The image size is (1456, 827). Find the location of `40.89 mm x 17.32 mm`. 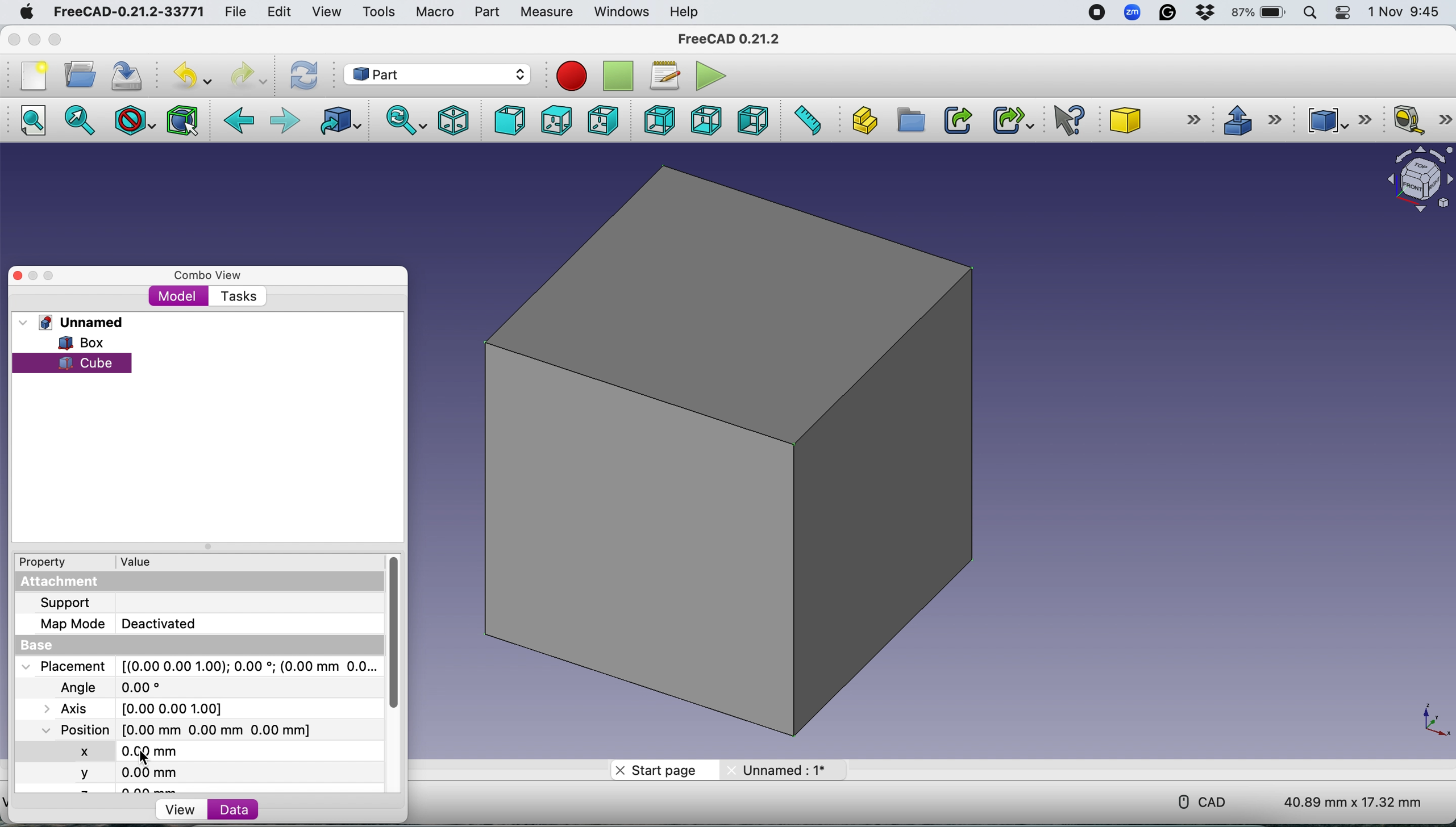

40.89 mm x 17.32 mm is located at coordinates (1343, 800).